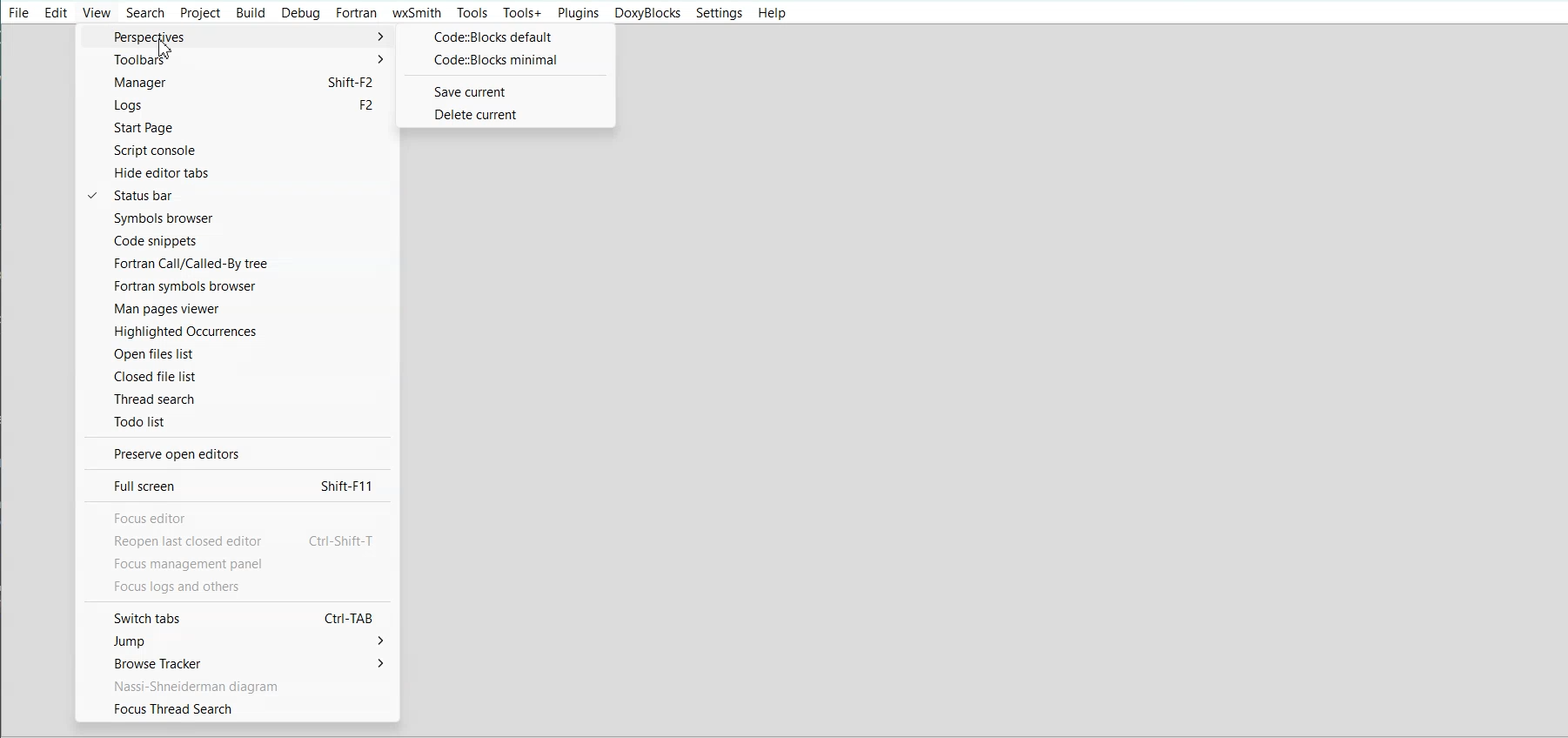  Describe the element at coordinates (56, 12) in the screenshot. I see `Edit` at that location.